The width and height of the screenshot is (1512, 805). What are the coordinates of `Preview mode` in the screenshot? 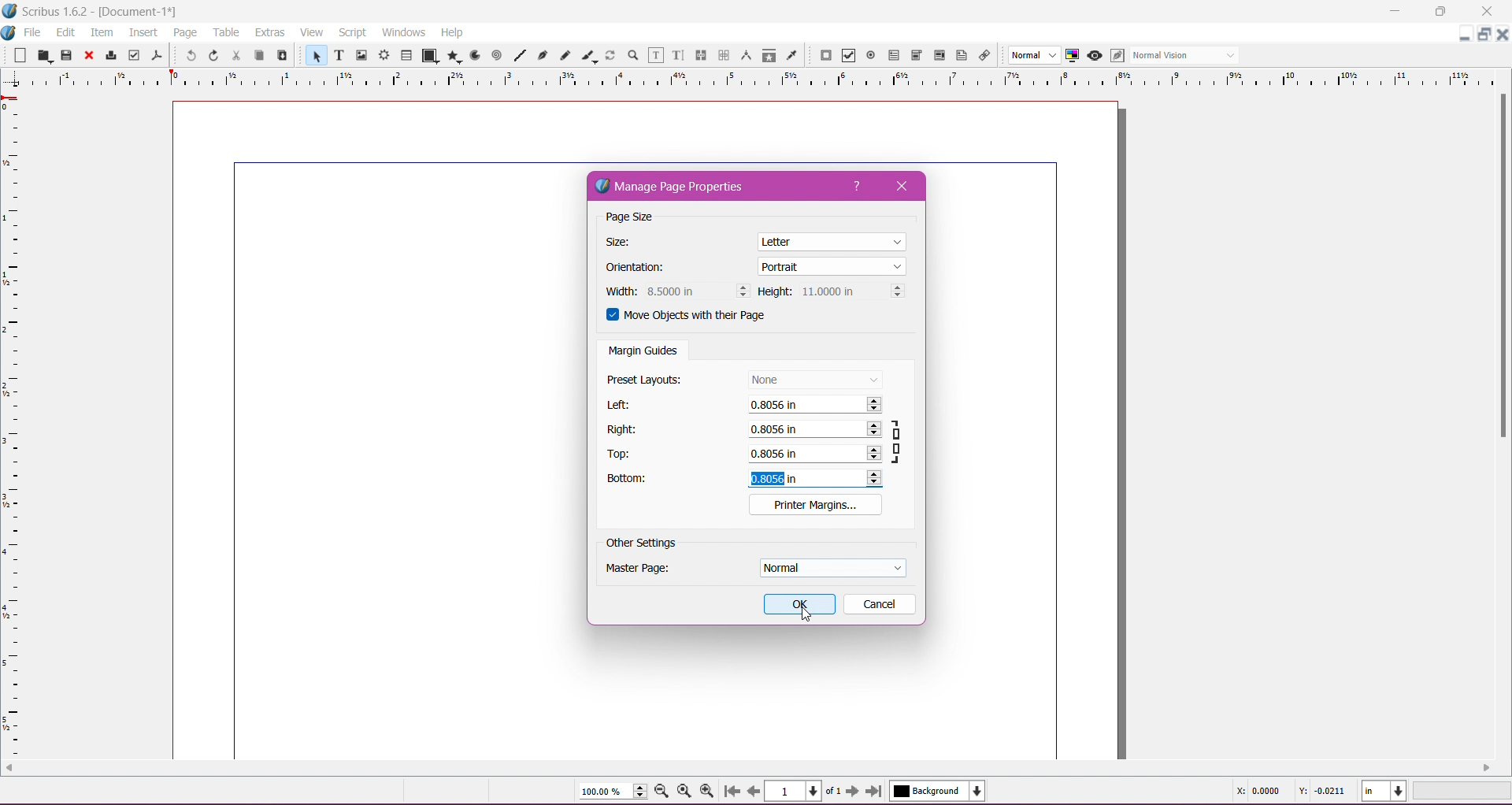 It's located at (1095, 56).